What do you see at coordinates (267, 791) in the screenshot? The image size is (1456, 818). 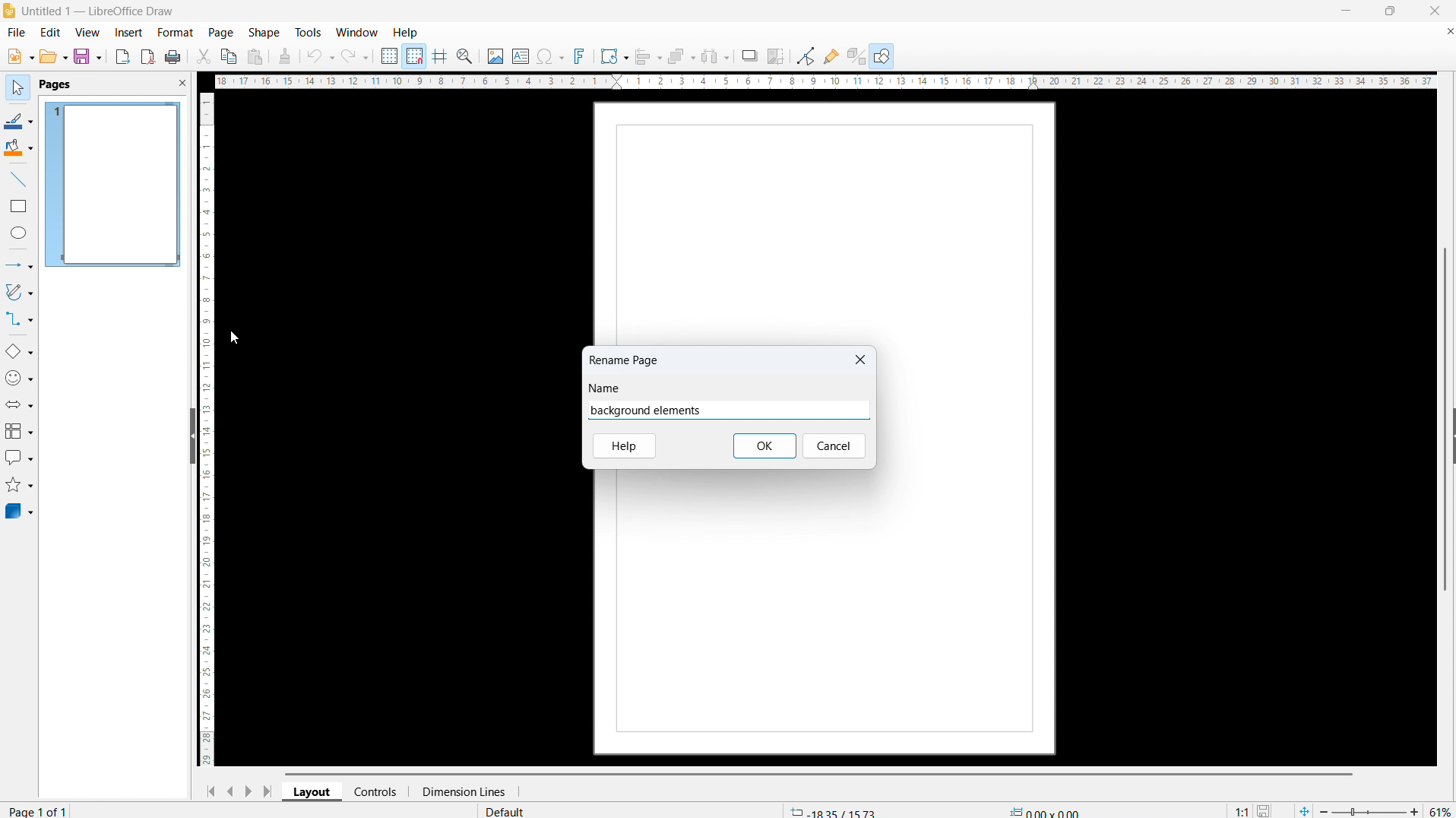 I see `go to last page` at bounding box center [267, 791].